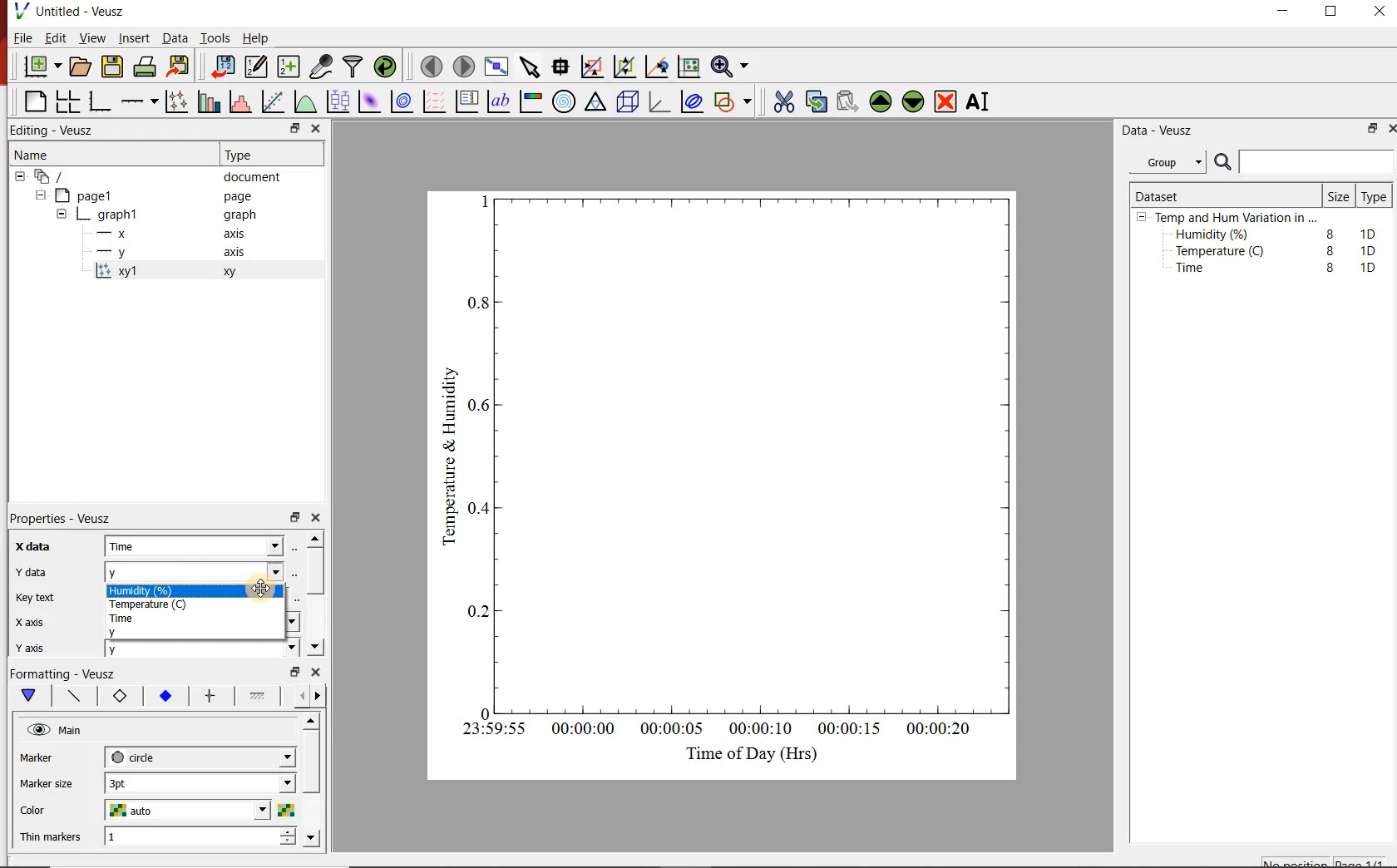  I want to click on page, so click(241, 197).